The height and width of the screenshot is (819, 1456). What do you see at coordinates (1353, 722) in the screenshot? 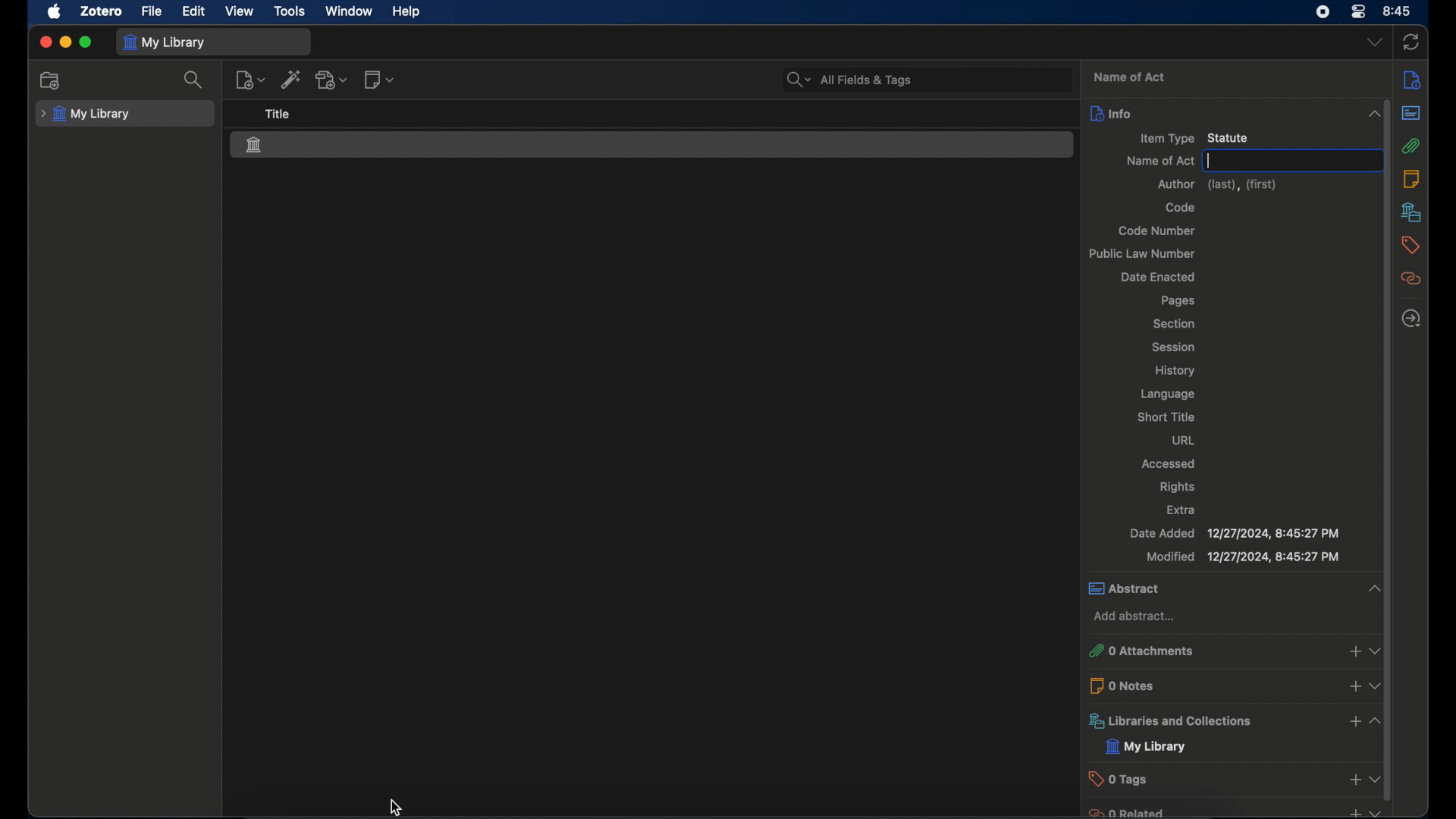
I see `add libraries` at bounding box center [1353, 722].